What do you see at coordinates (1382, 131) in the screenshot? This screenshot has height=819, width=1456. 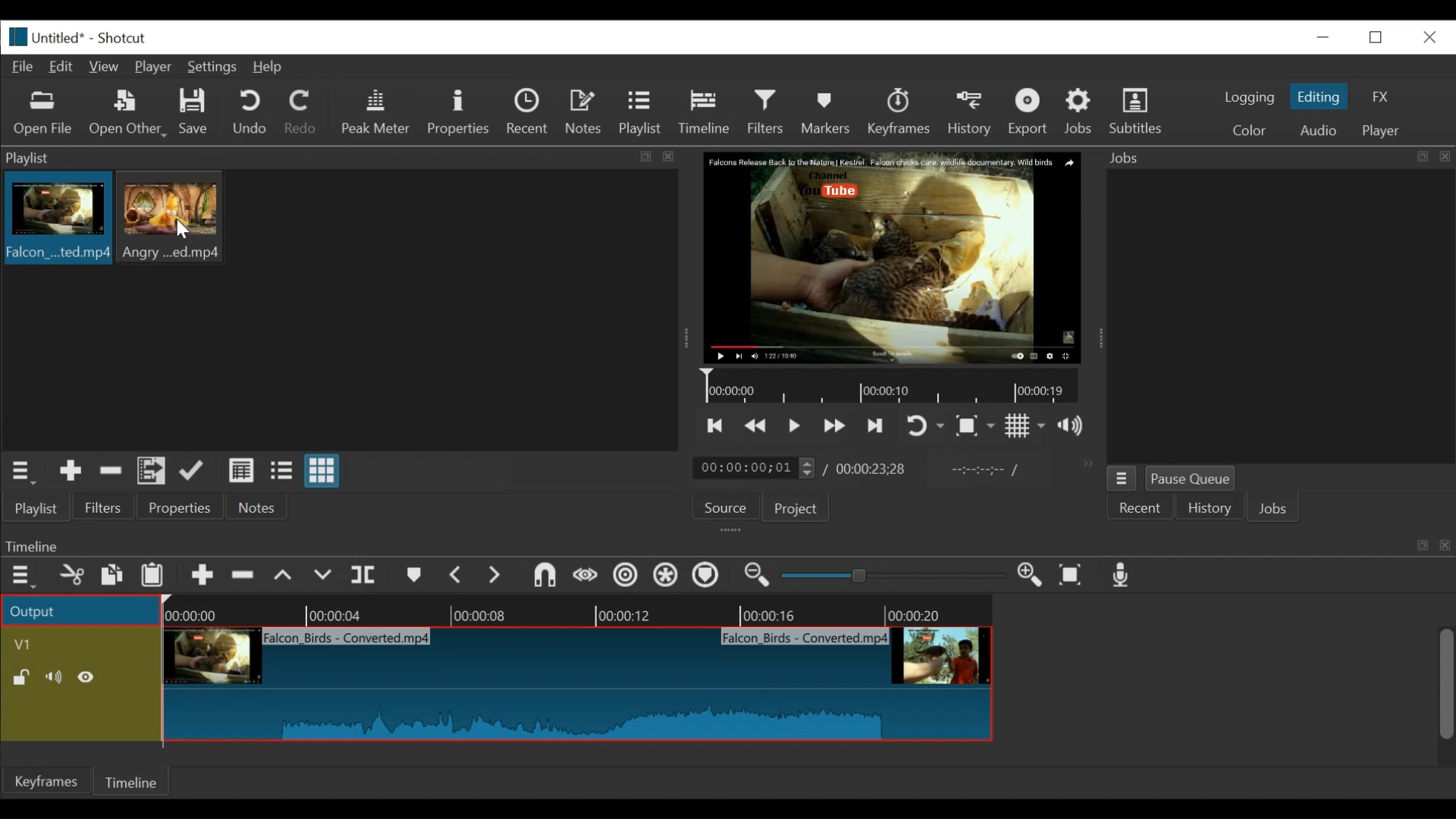 I see `player` at bounding box center [1382, 131].